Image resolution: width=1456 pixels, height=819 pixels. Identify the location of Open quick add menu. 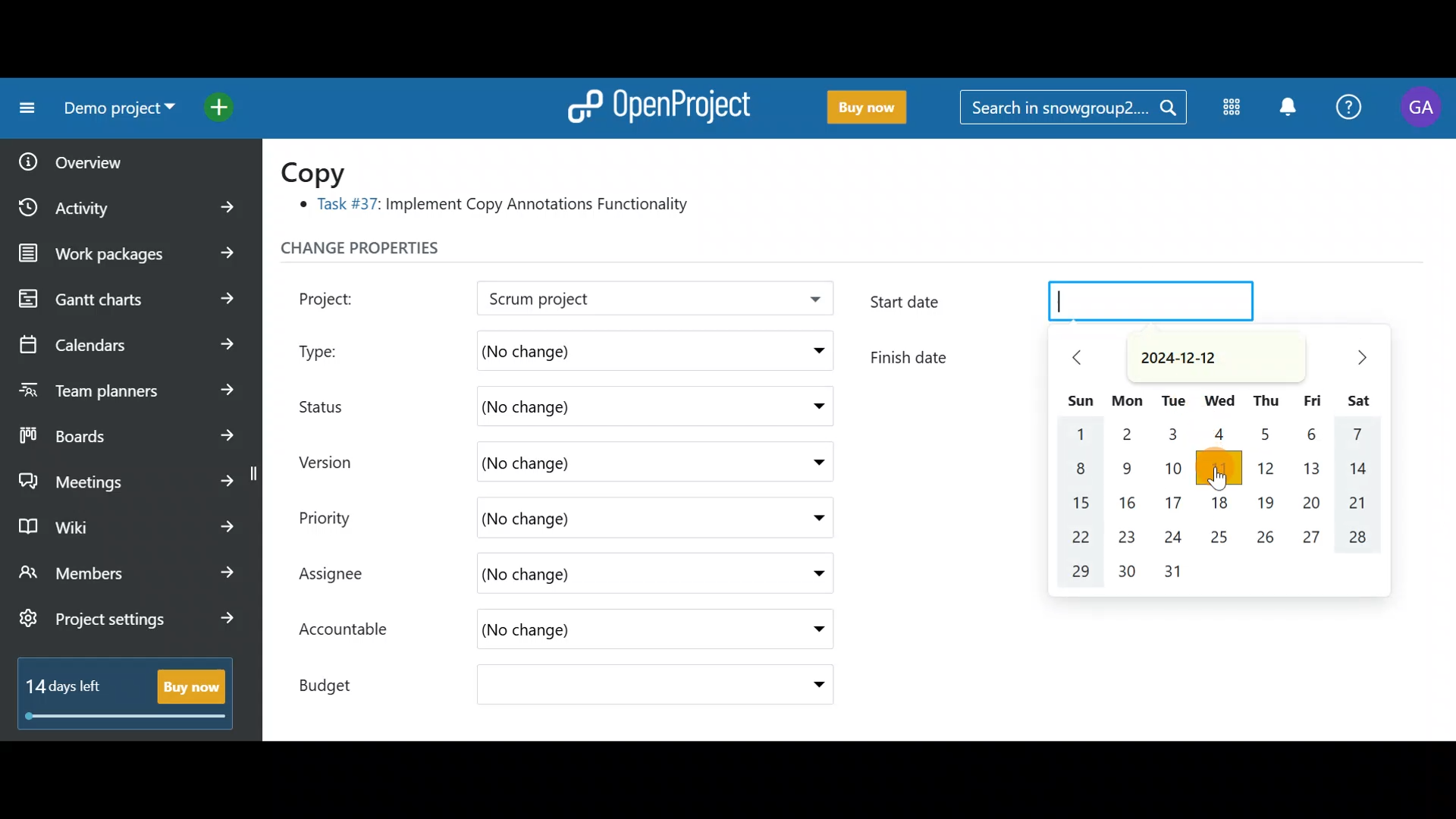
(223, 104).